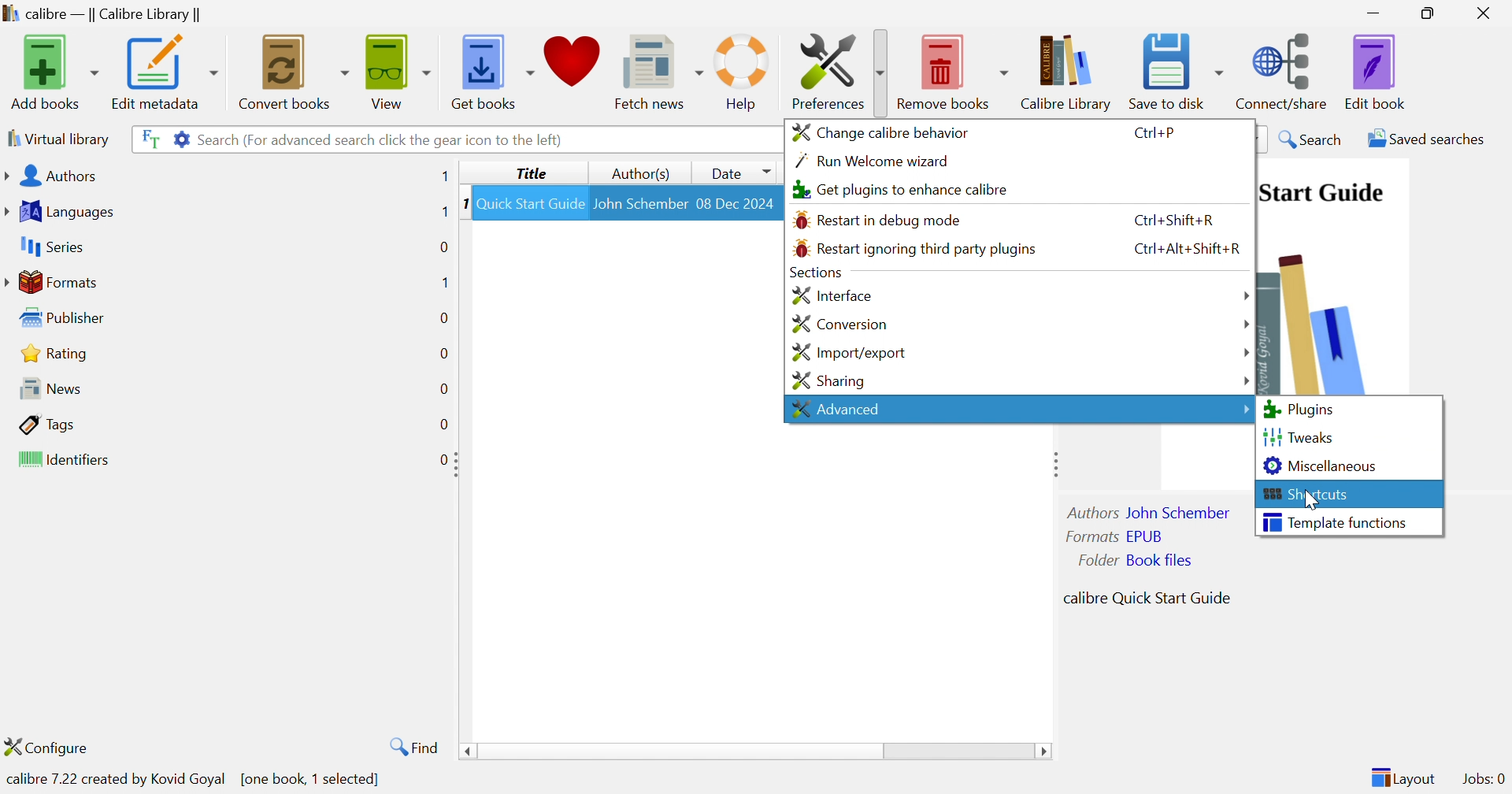 The width and height of the screenshot is (1512, 794). What do you see at coordinates (50, 247) in the screenshot?
I see `Series` at bounding box center [50, 247].